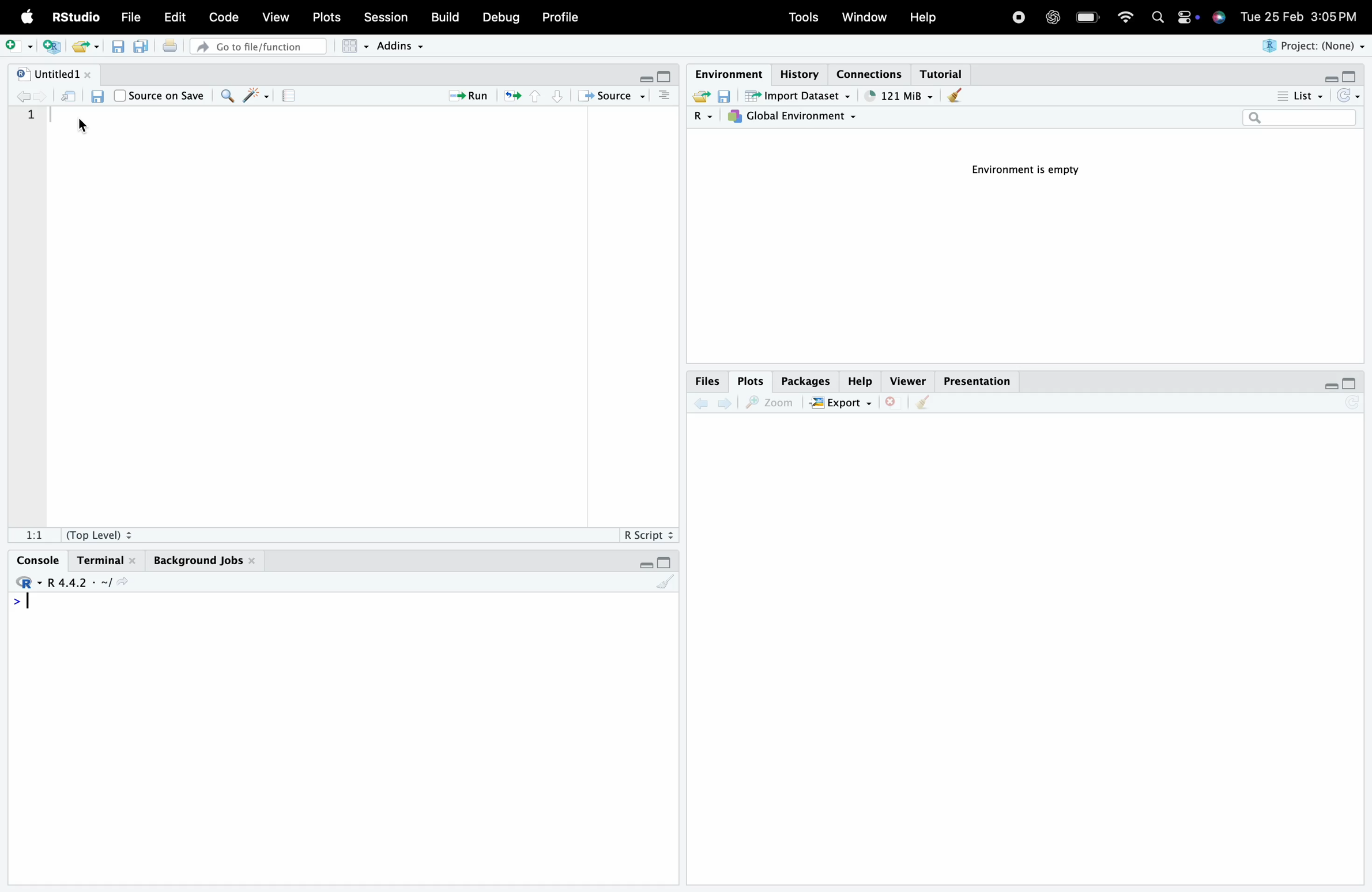 This screenshot has width=1372, height=892. What do you see at coordinates (927, 403) in the screenshot?
I see `Clear console (Ctrl + L)` at bounding box center [927, 403].